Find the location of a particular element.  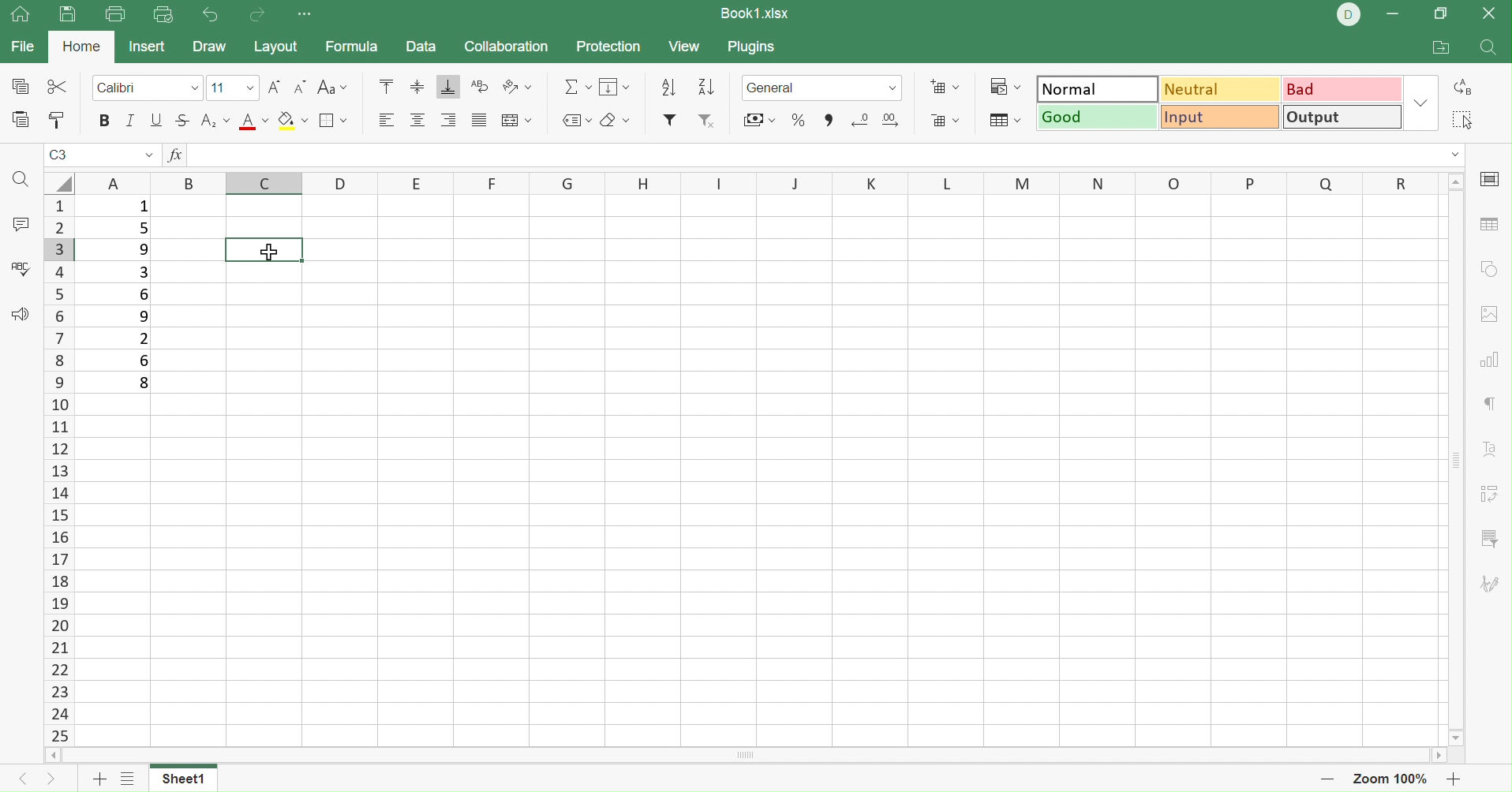

Increase decimal is located at coordinates (897, 121).